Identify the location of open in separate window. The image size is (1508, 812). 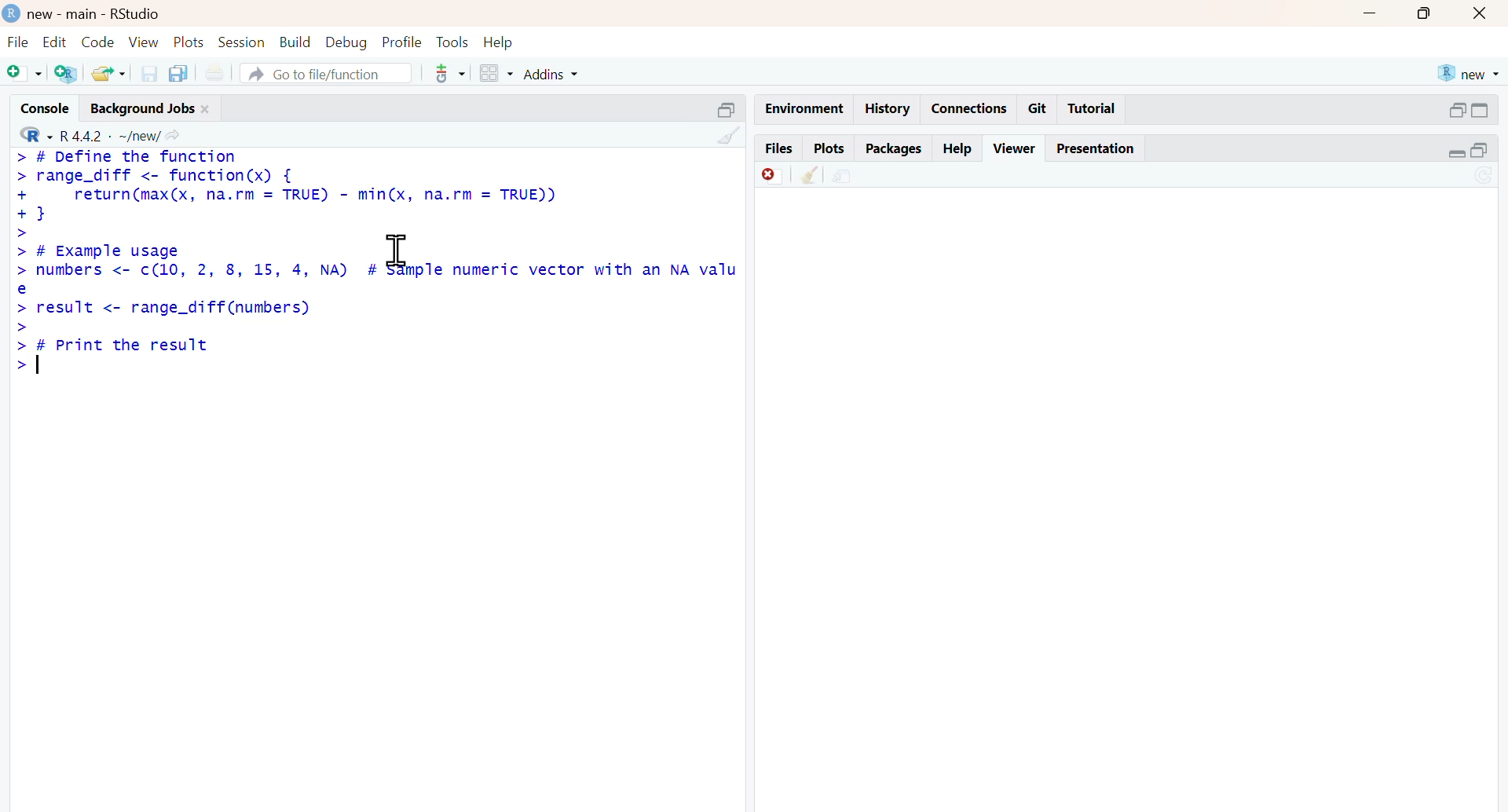
(1480, 150).